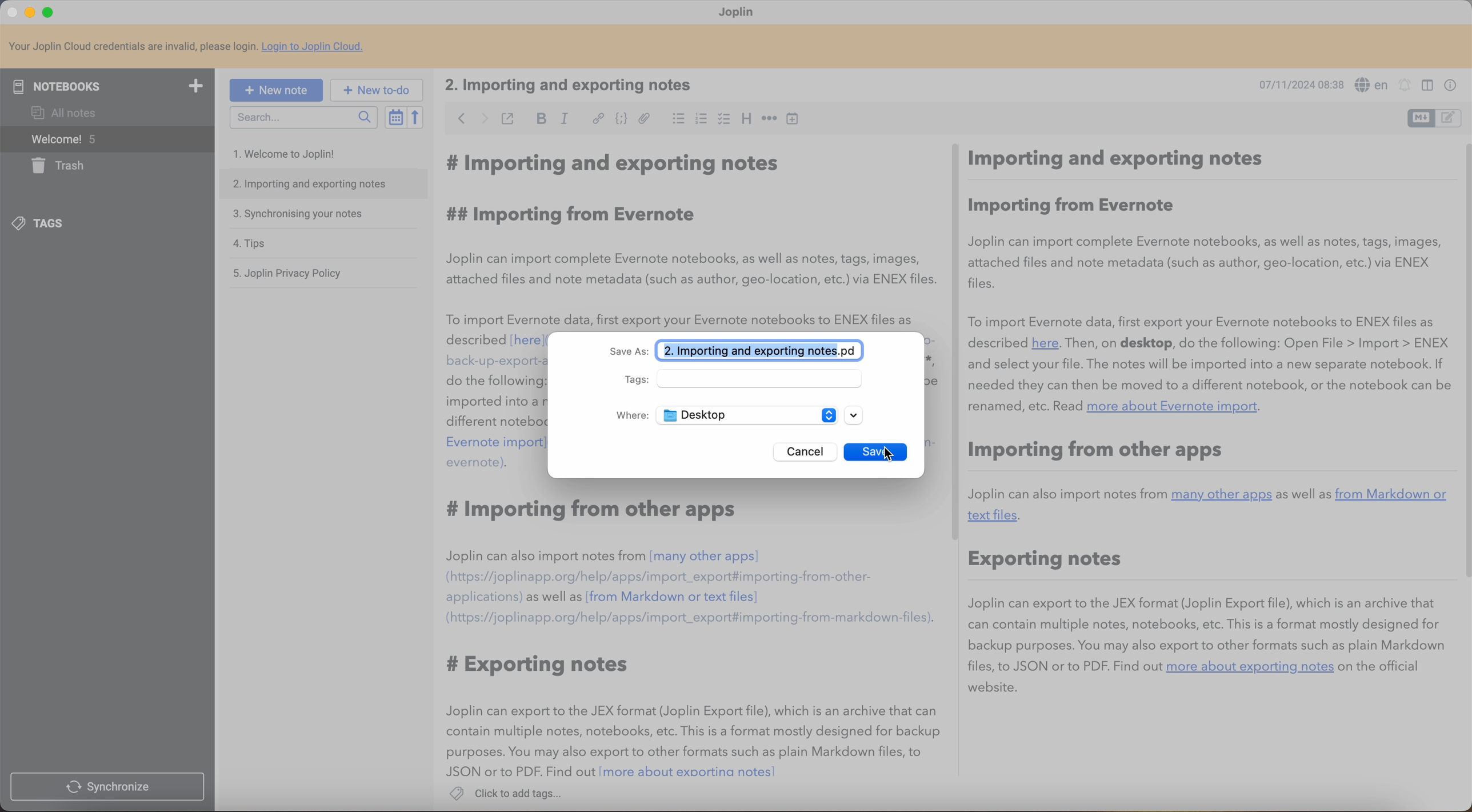  What do you see at coordinates (61, 113) in the screenshot?
I see `all notes` at bounding box center [61, 113].